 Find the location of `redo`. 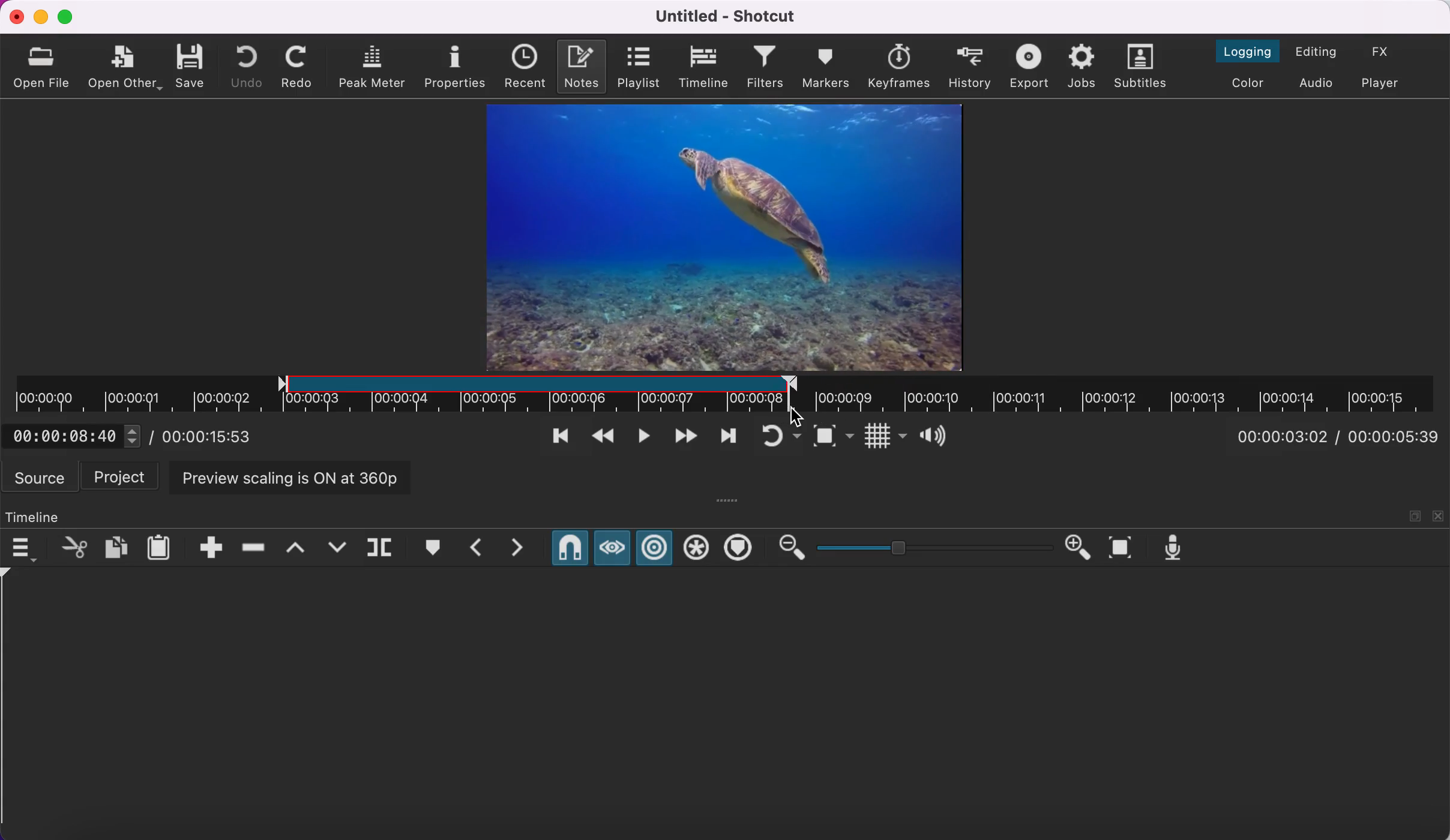

redo is located at coordinates (300, 66).